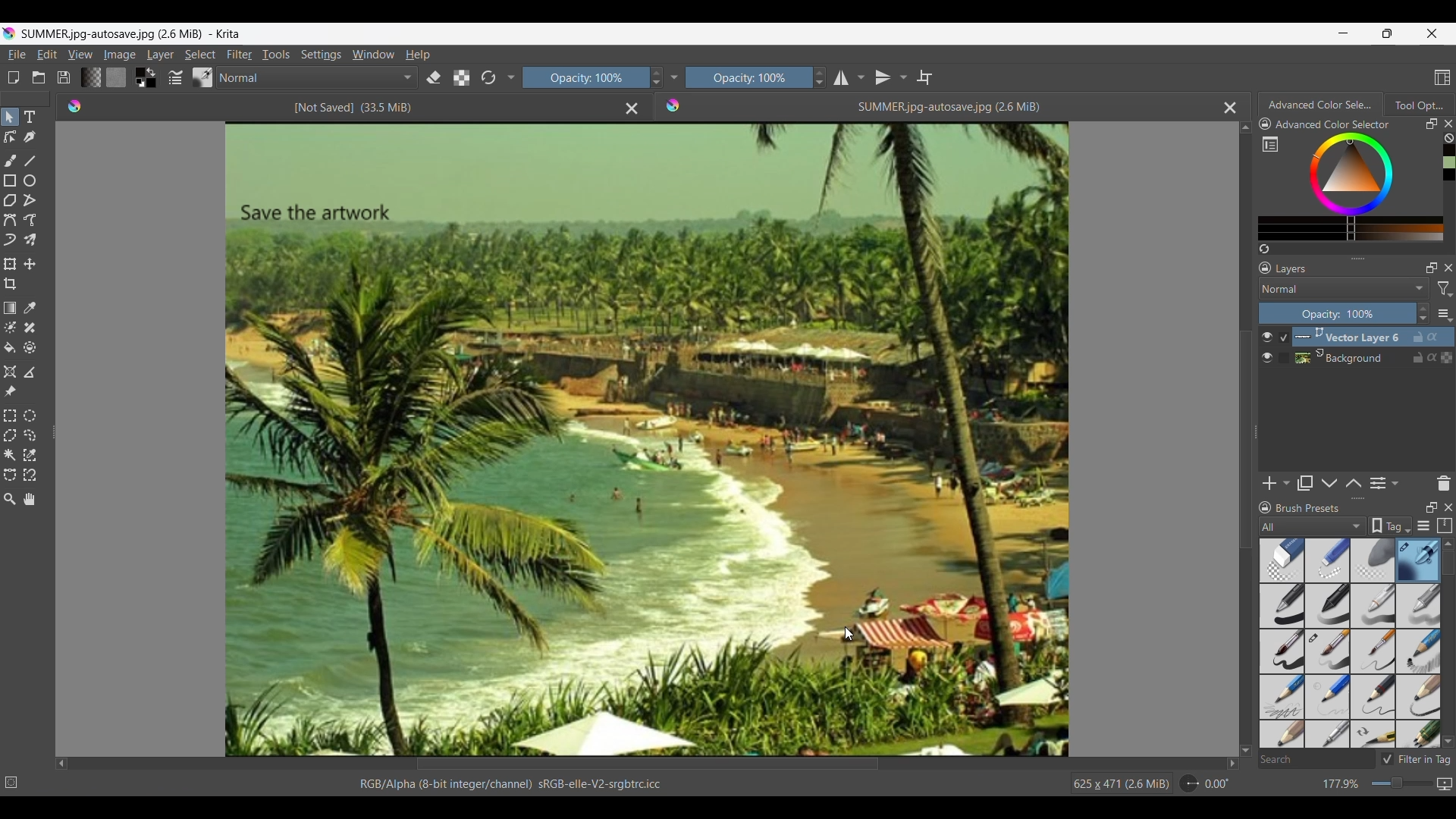  What do you see at coordinates (116, 77) in the screenshot?
I see `Fill patterns` at bounding box center [116, 77].